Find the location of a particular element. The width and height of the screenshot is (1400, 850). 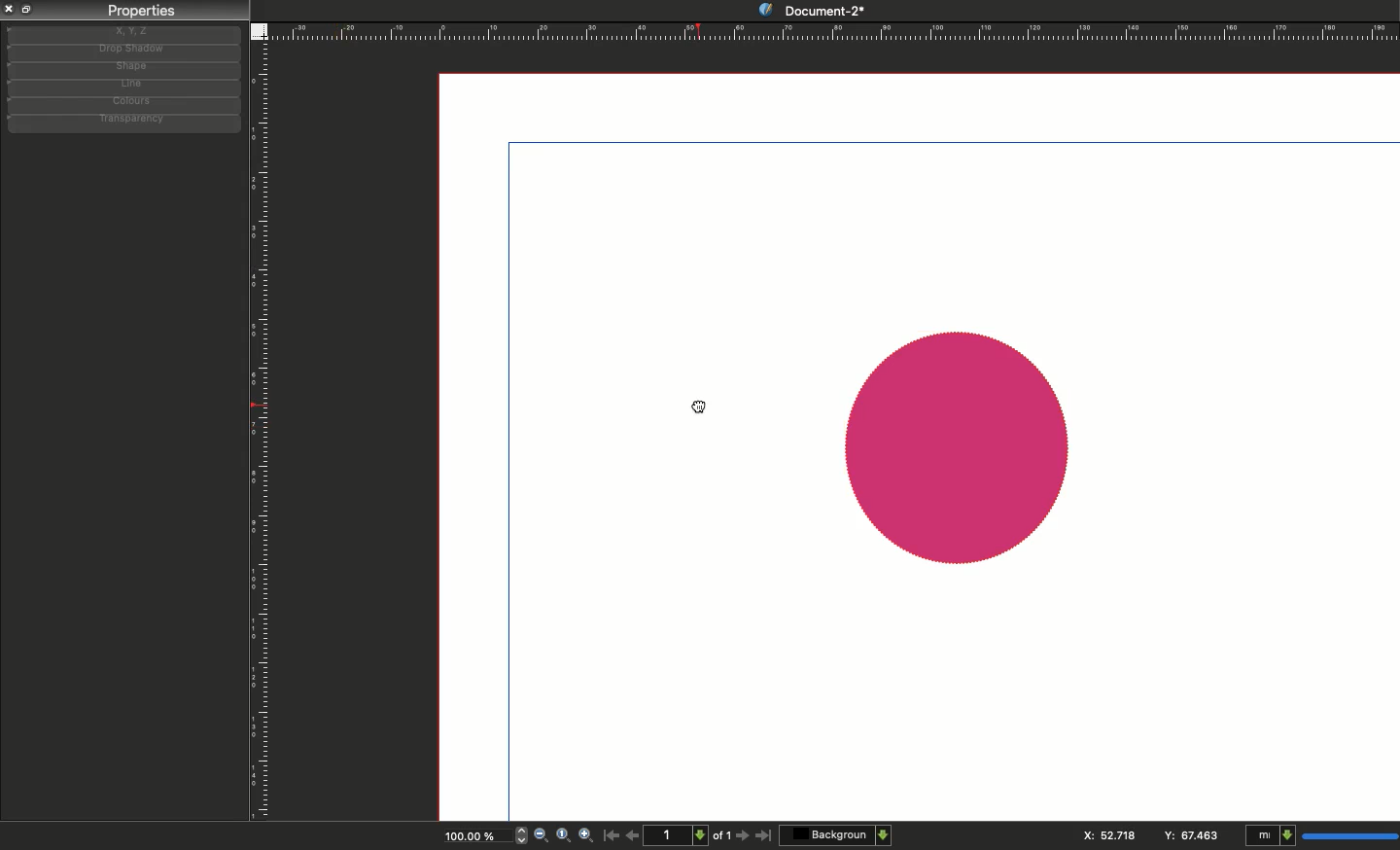

Line is located at coordinates (119, 86).